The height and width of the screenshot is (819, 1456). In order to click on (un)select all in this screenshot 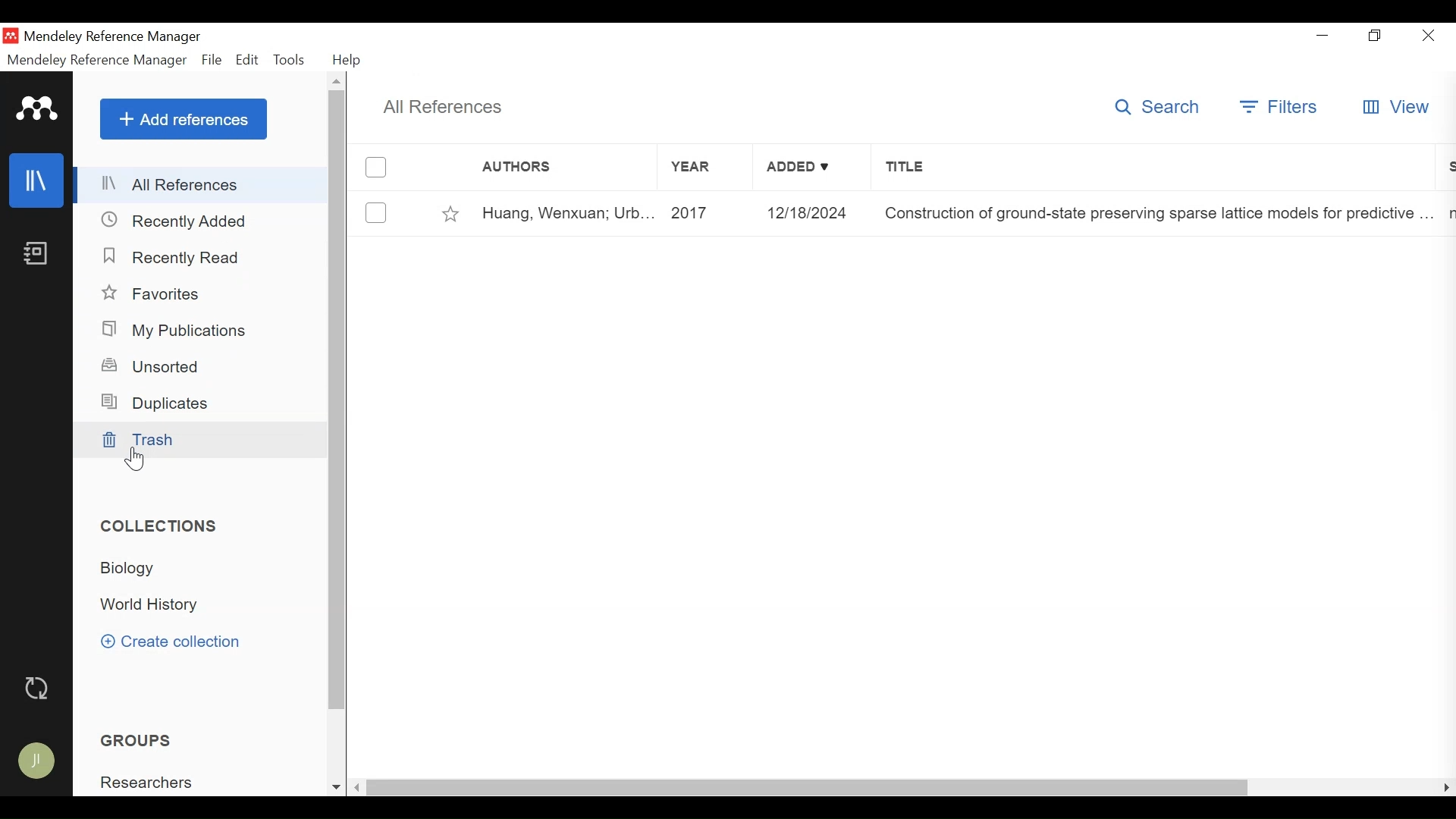, I will do `click(376, 168)`.